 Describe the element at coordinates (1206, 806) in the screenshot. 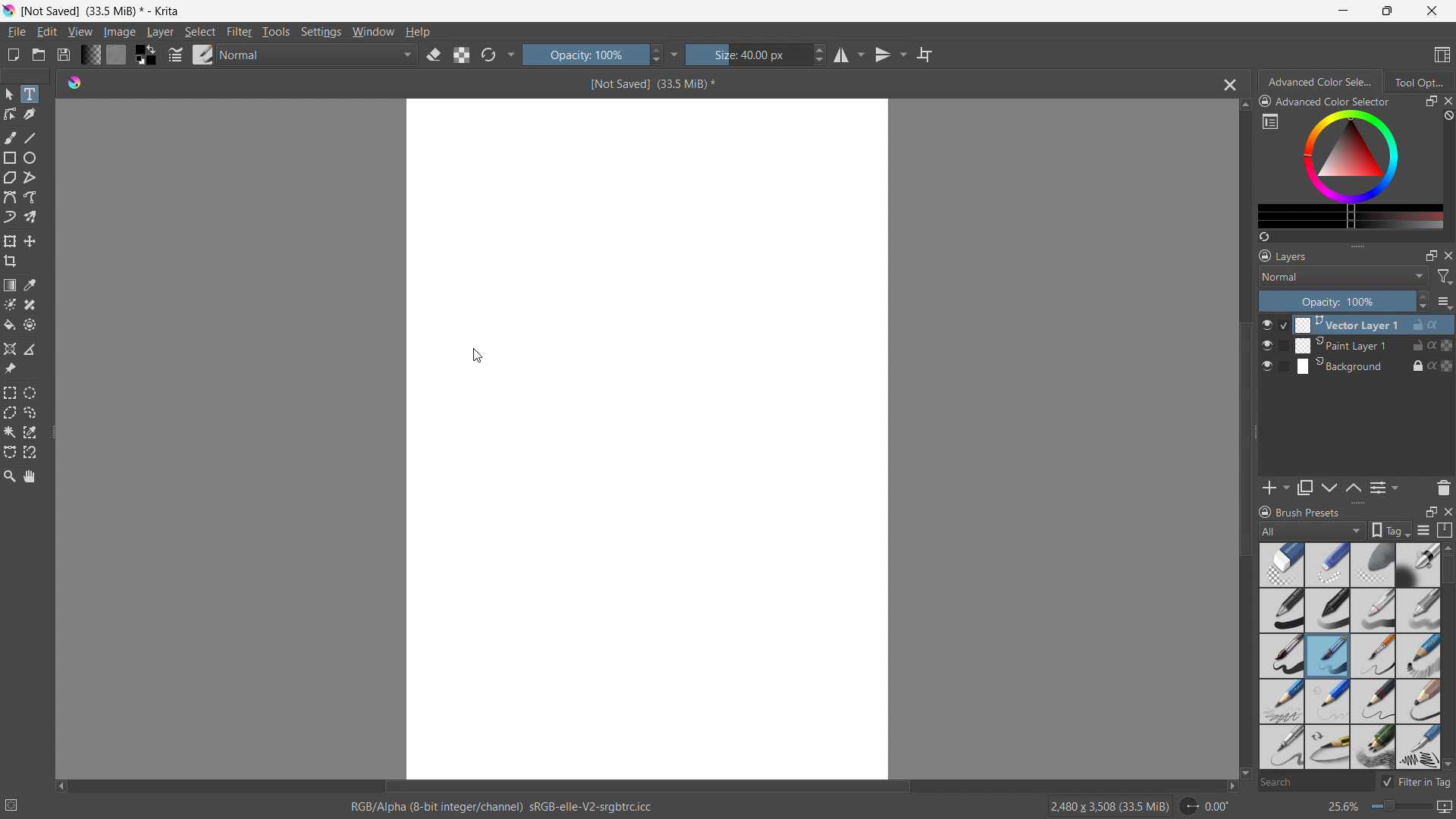

I see `rotate canvas` at that location.